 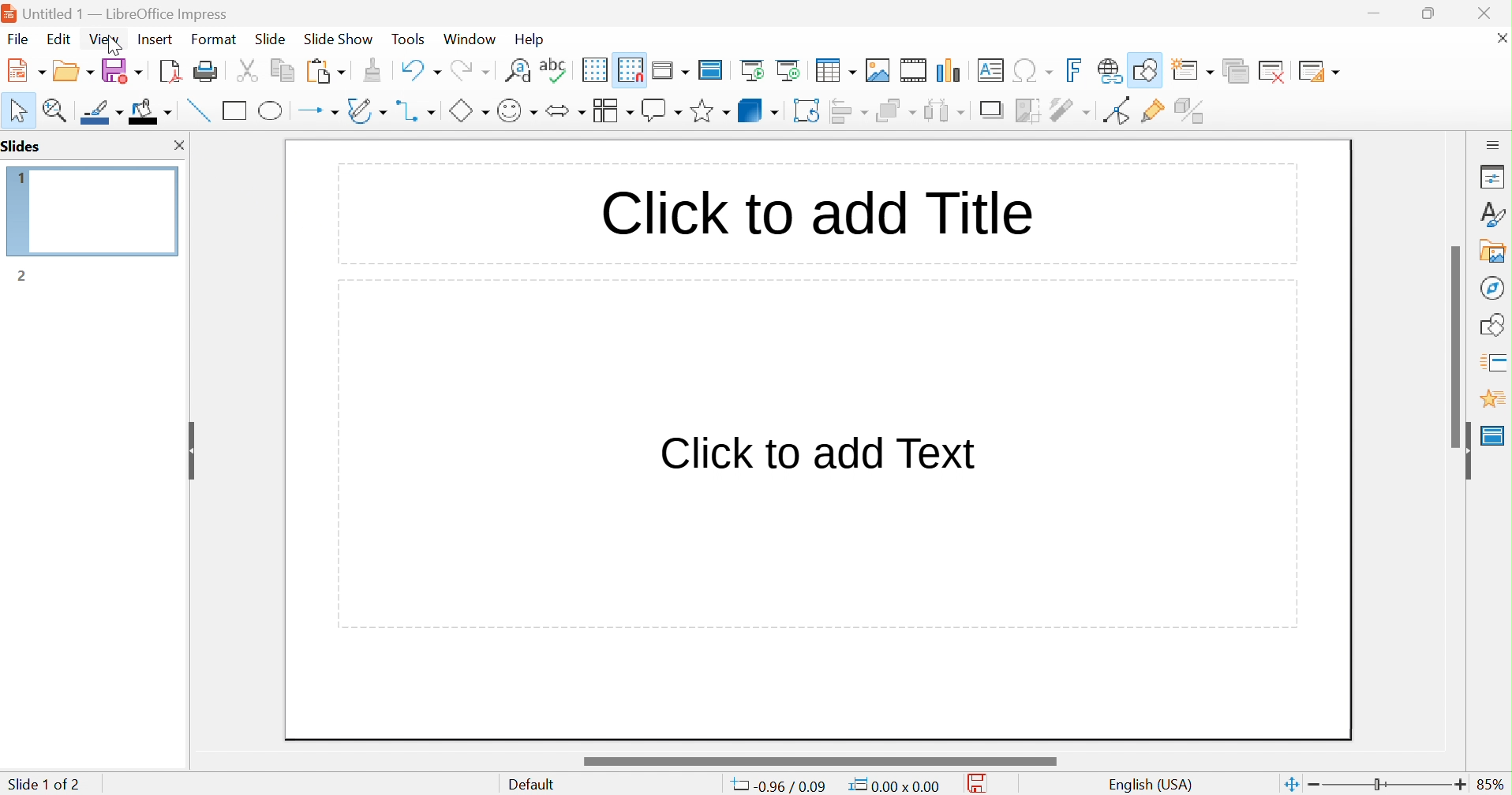 What do you see at coordinates (1110, 70) in the screenshot?
I see `insert hyperlink` at bounding box center [1110, 70].